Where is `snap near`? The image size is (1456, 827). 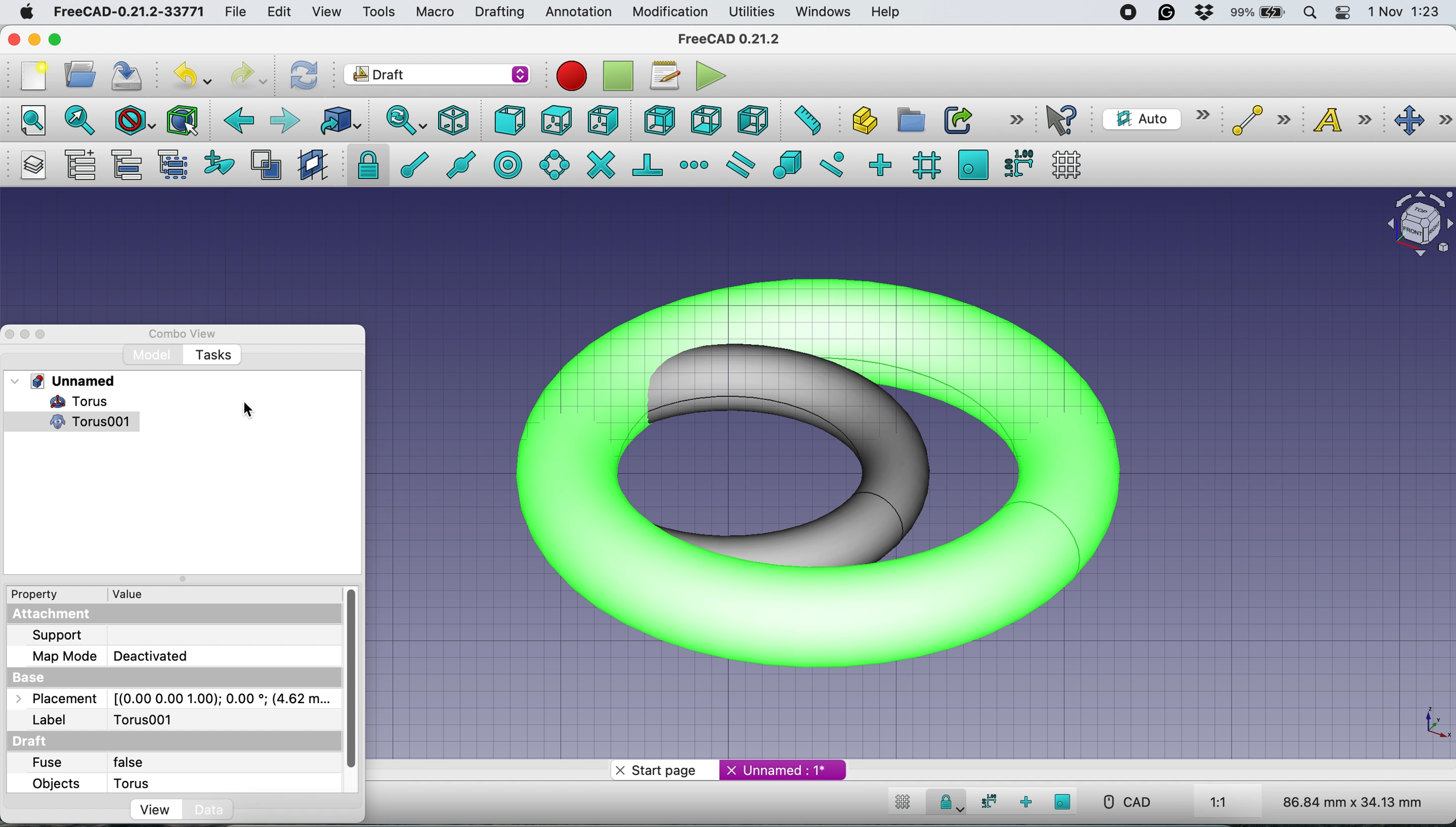
snap near is located at coordinates (833, 164).